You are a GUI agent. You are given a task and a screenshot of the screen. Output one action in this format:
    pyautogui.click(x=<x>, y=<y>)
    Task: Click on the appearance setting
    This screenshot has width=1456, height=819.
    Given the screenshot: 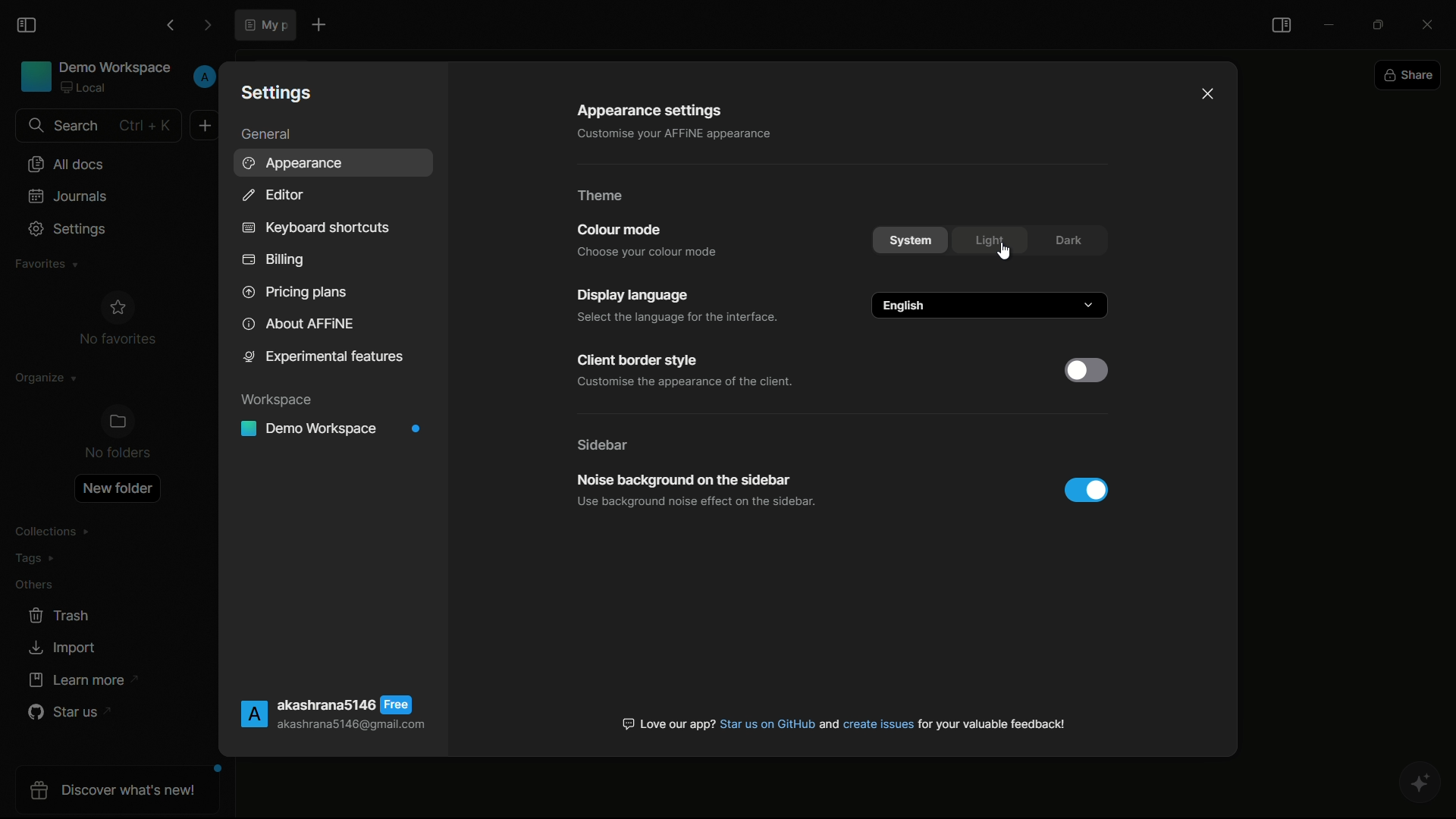 What is the action you would take?
    pyautogui.click(x=648, y=111)
    